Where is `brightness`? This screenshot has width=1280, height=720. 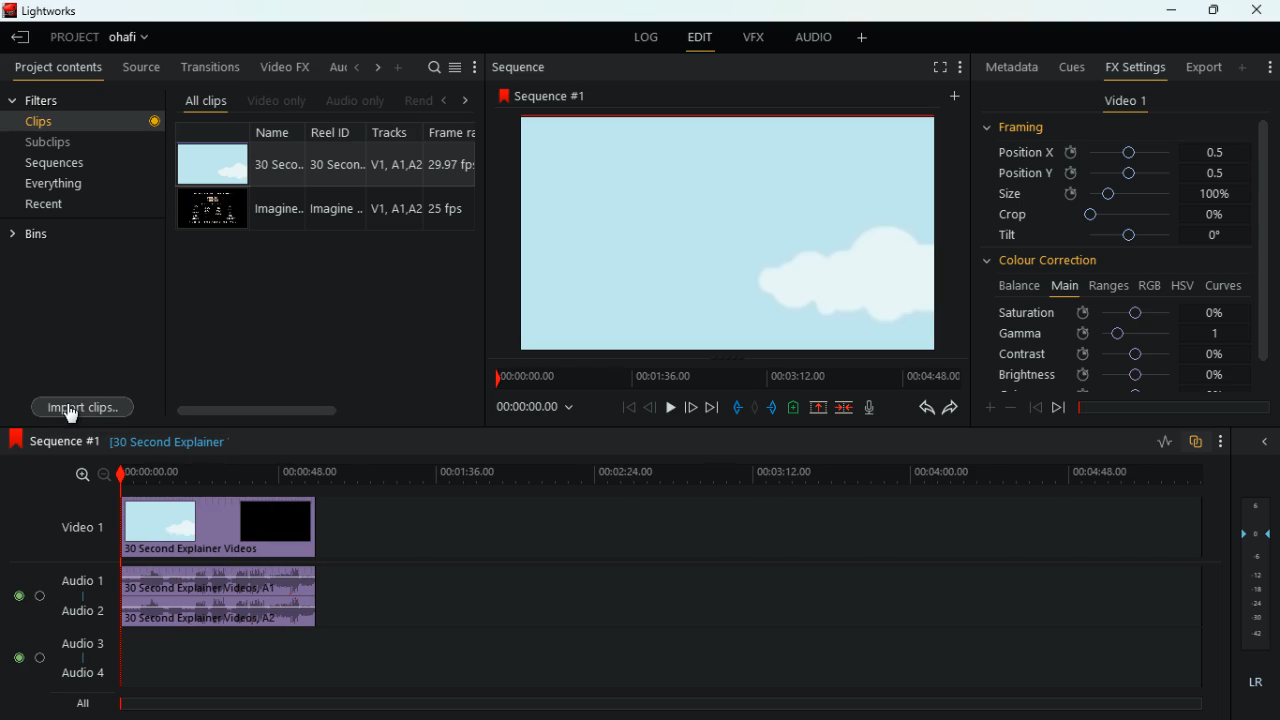
brightness is located at coordinates (1110, 374).